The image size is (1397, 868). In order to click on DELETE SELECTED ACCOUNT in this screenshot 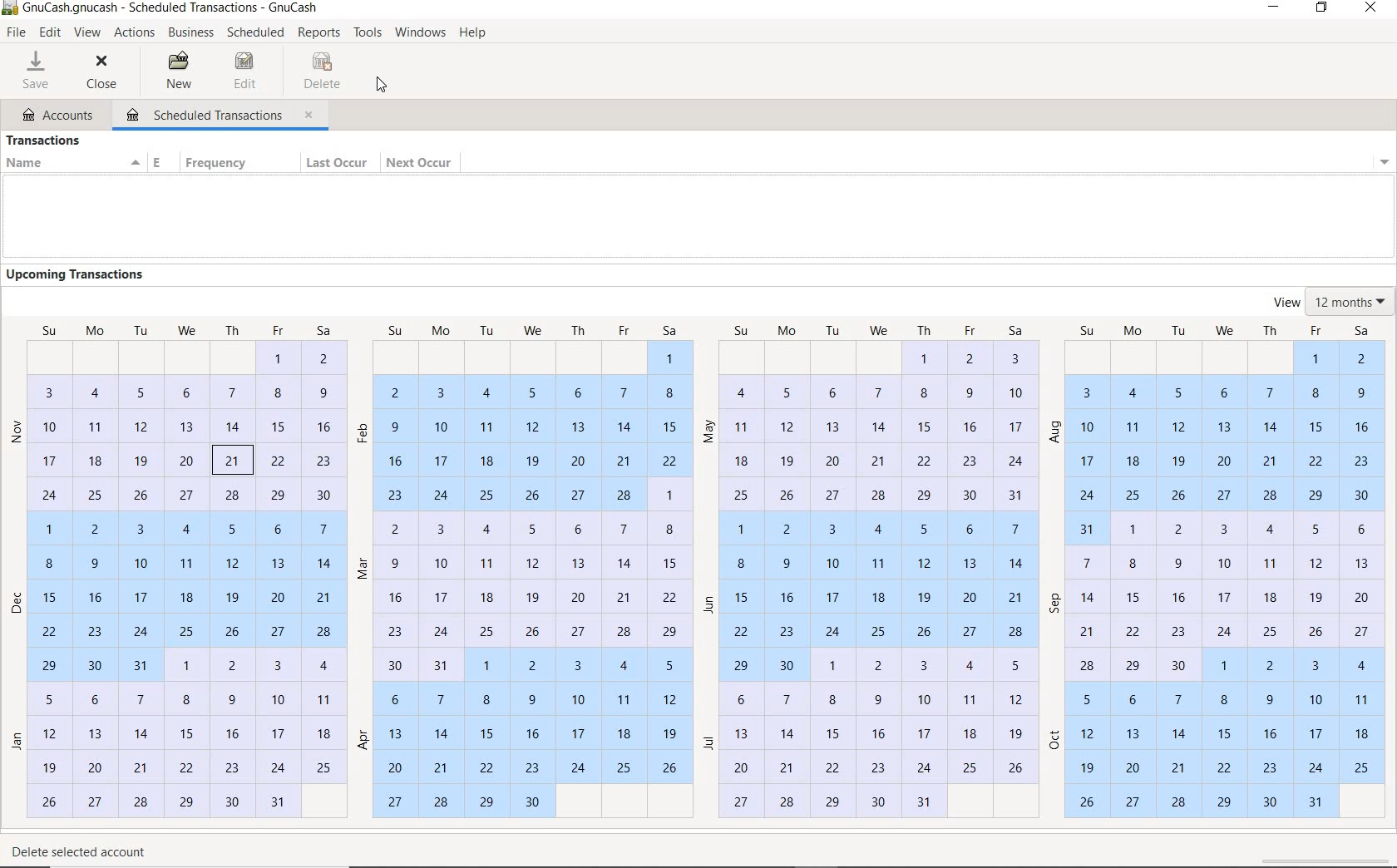, I will do `click(79, 854)`.